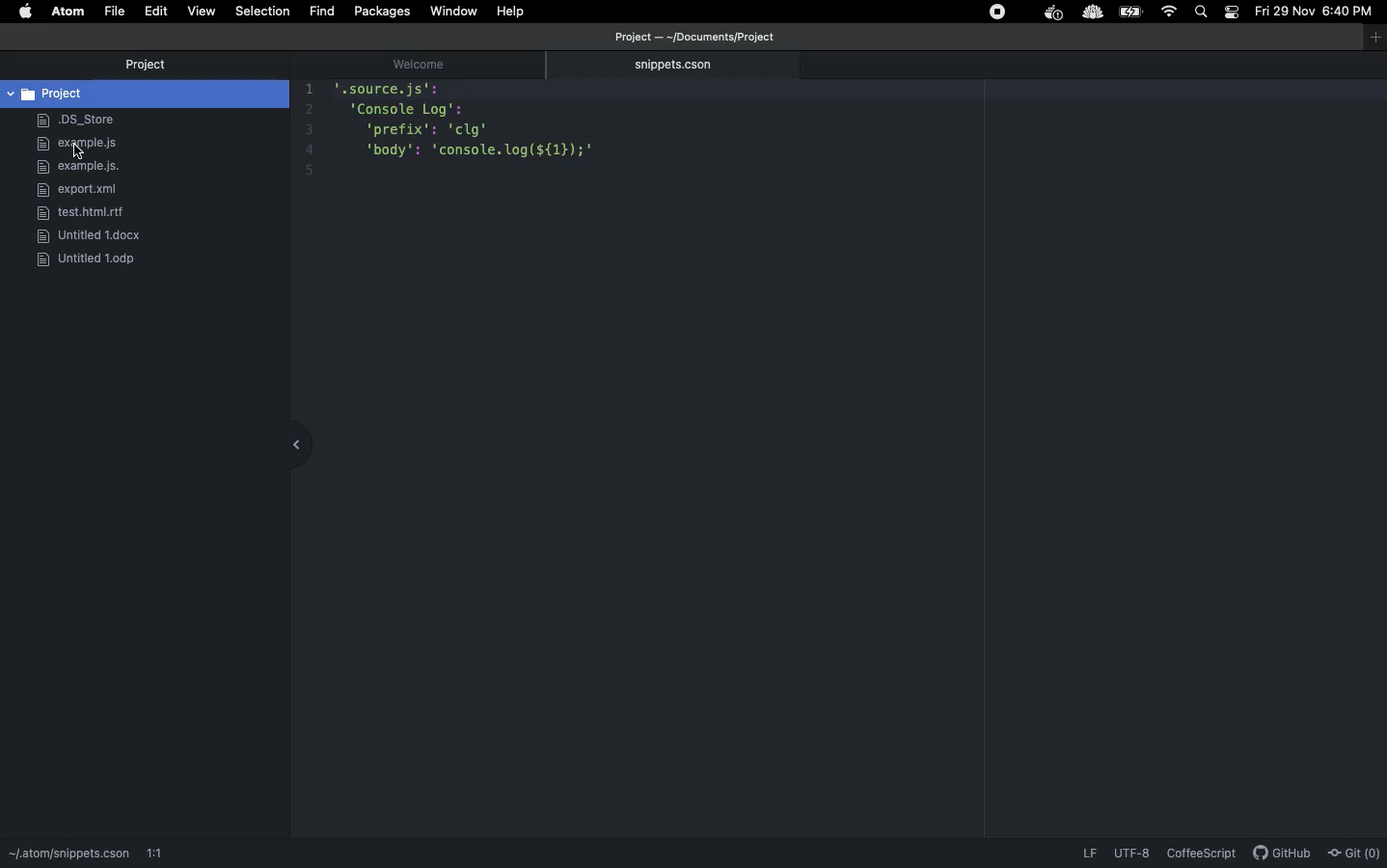 This screenshot has height=868, width=1387. Describe the element at coordinates (1169, 12) in the screenshot. I see `Internet` at that location.